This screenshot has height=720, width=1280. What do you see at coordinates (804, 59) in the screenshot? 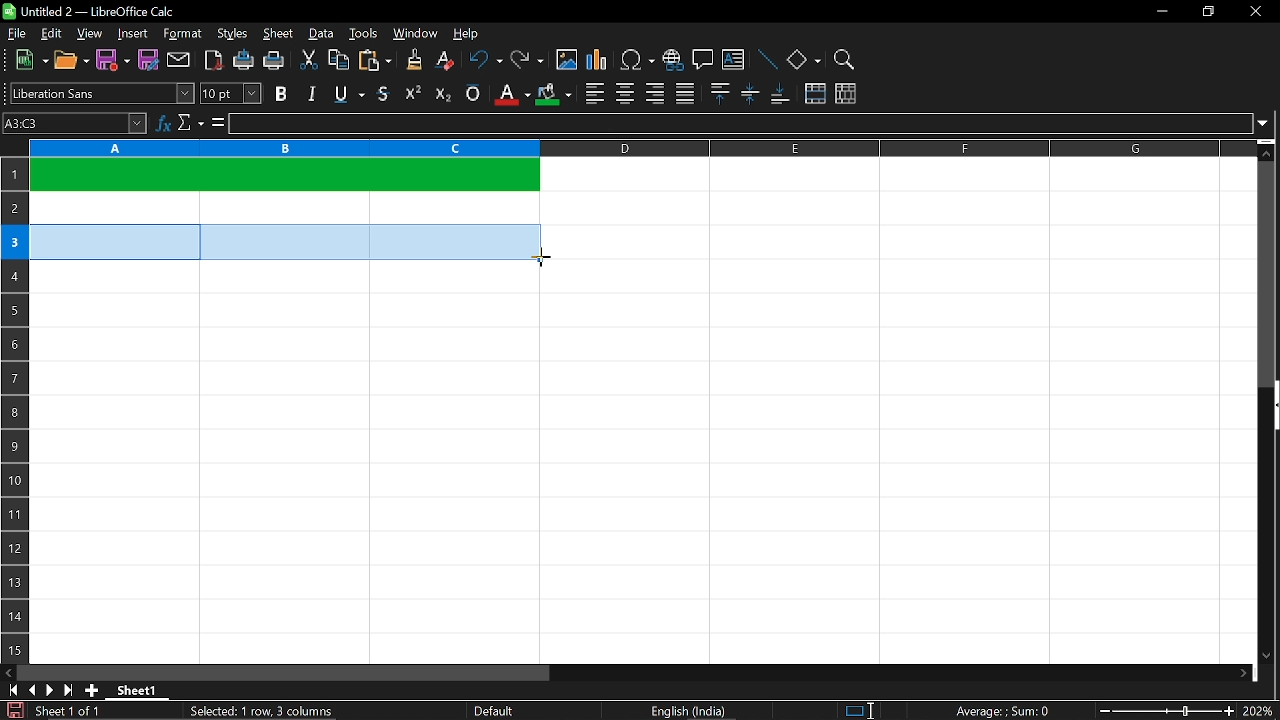
I see `basic shapes` at bounding box center [804, 59].